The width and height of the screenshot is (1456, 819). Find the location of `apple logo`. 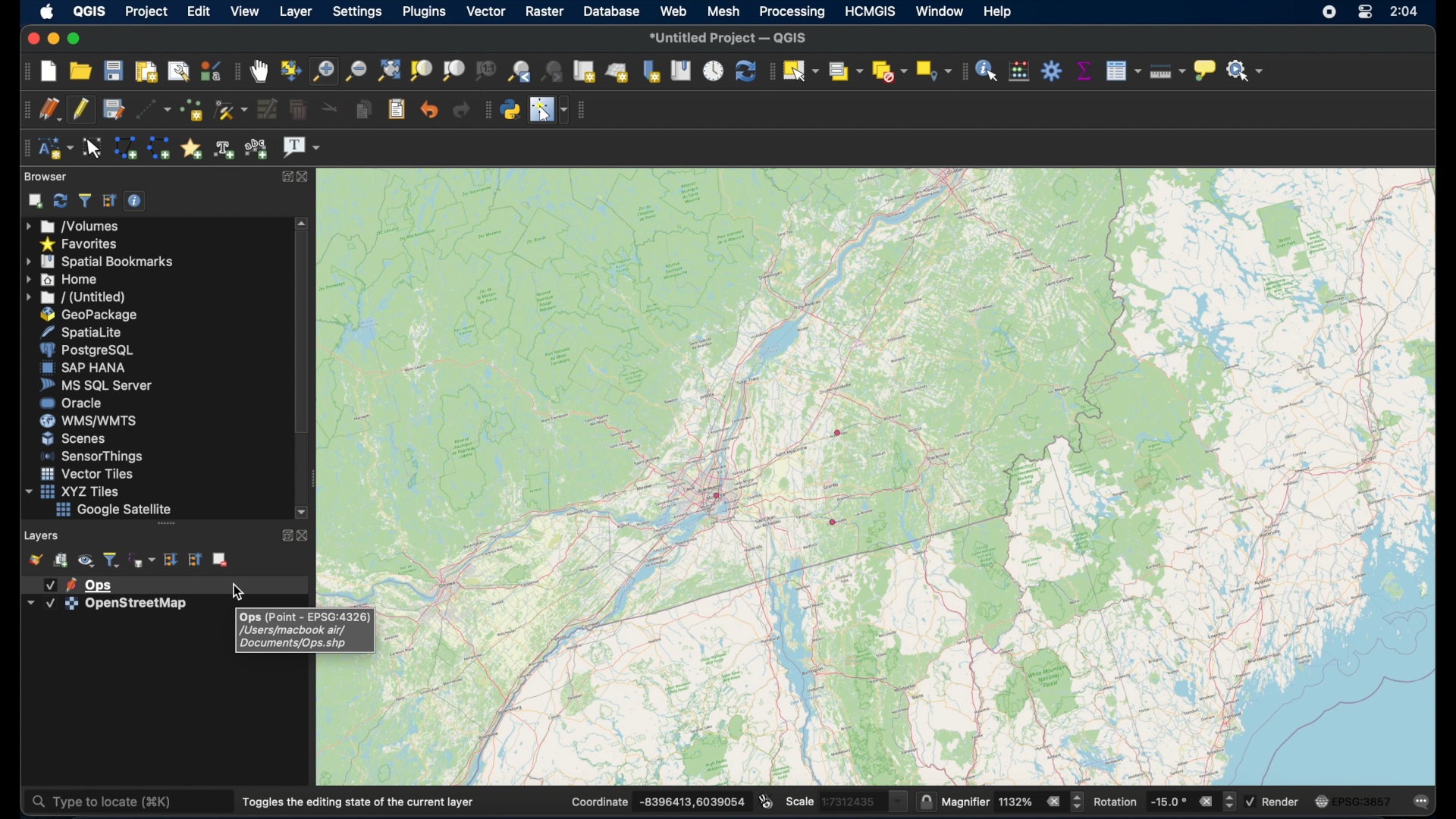

apple logo is located at coordinates (46, 11).